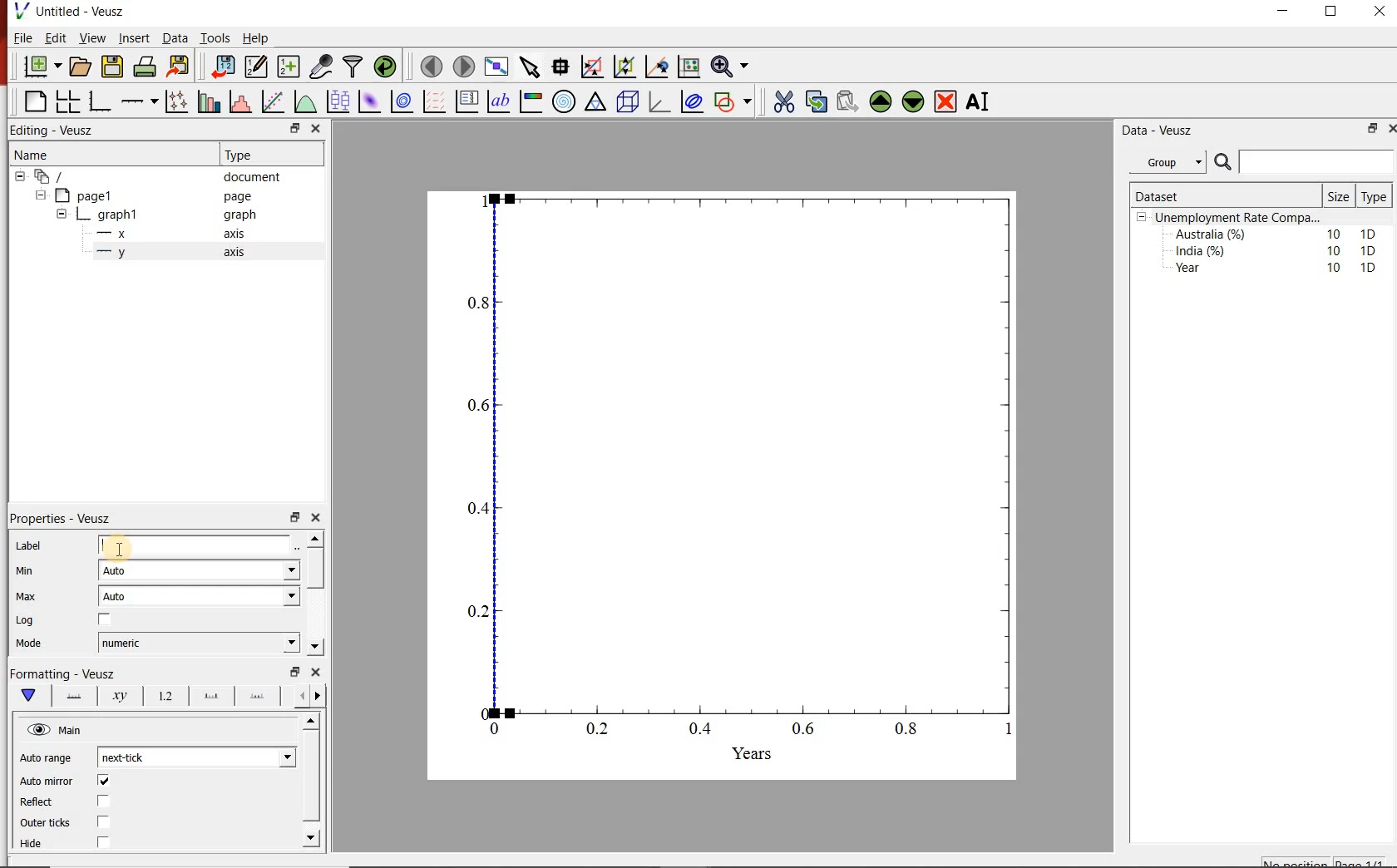  I want to click on Insert, so click(133, 37).